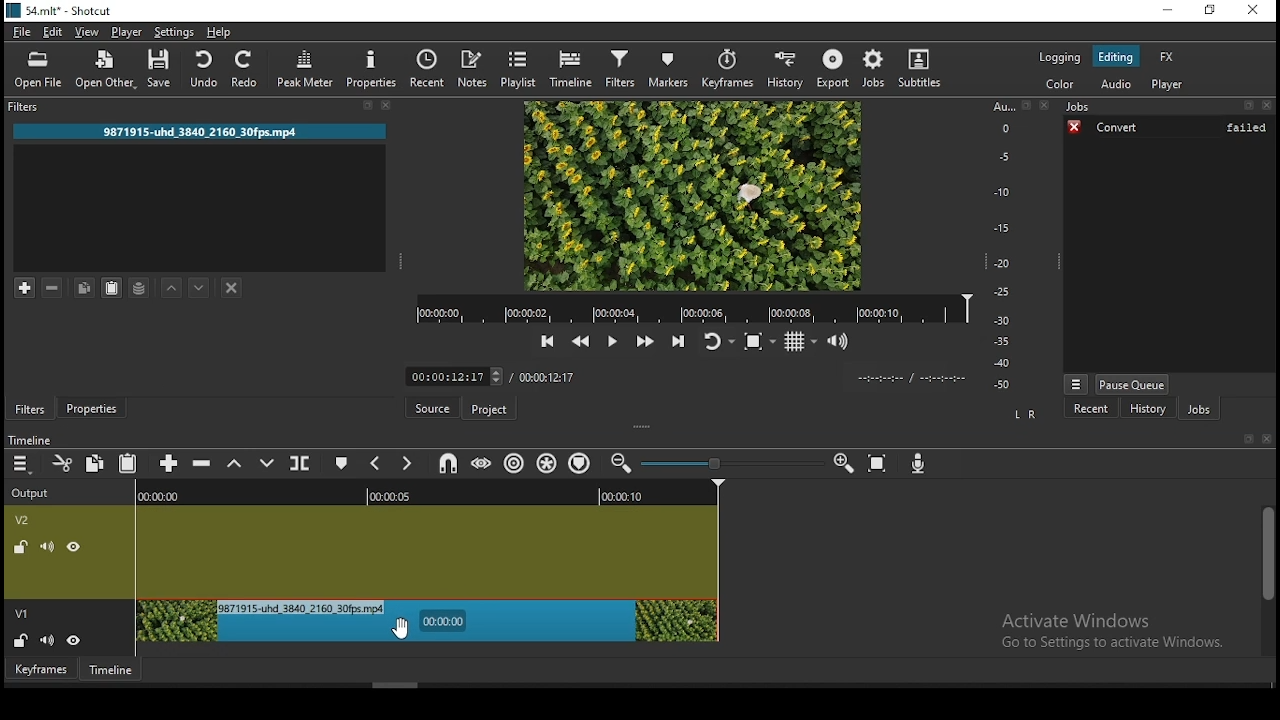  Describe the element at coordinates (643, 343) in the screenshot. I see `play quickly forwards` at that location.